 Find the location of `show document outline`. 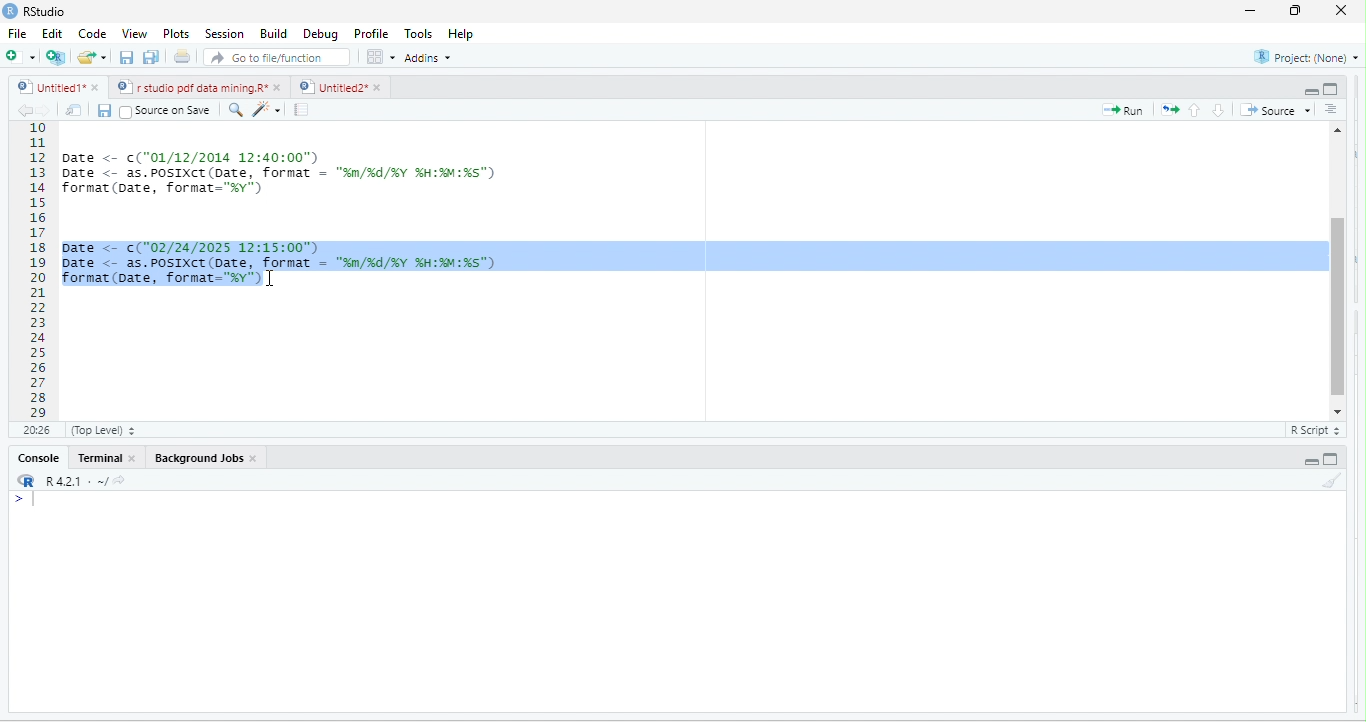

show document outline is located at coordinates (1335, 109).